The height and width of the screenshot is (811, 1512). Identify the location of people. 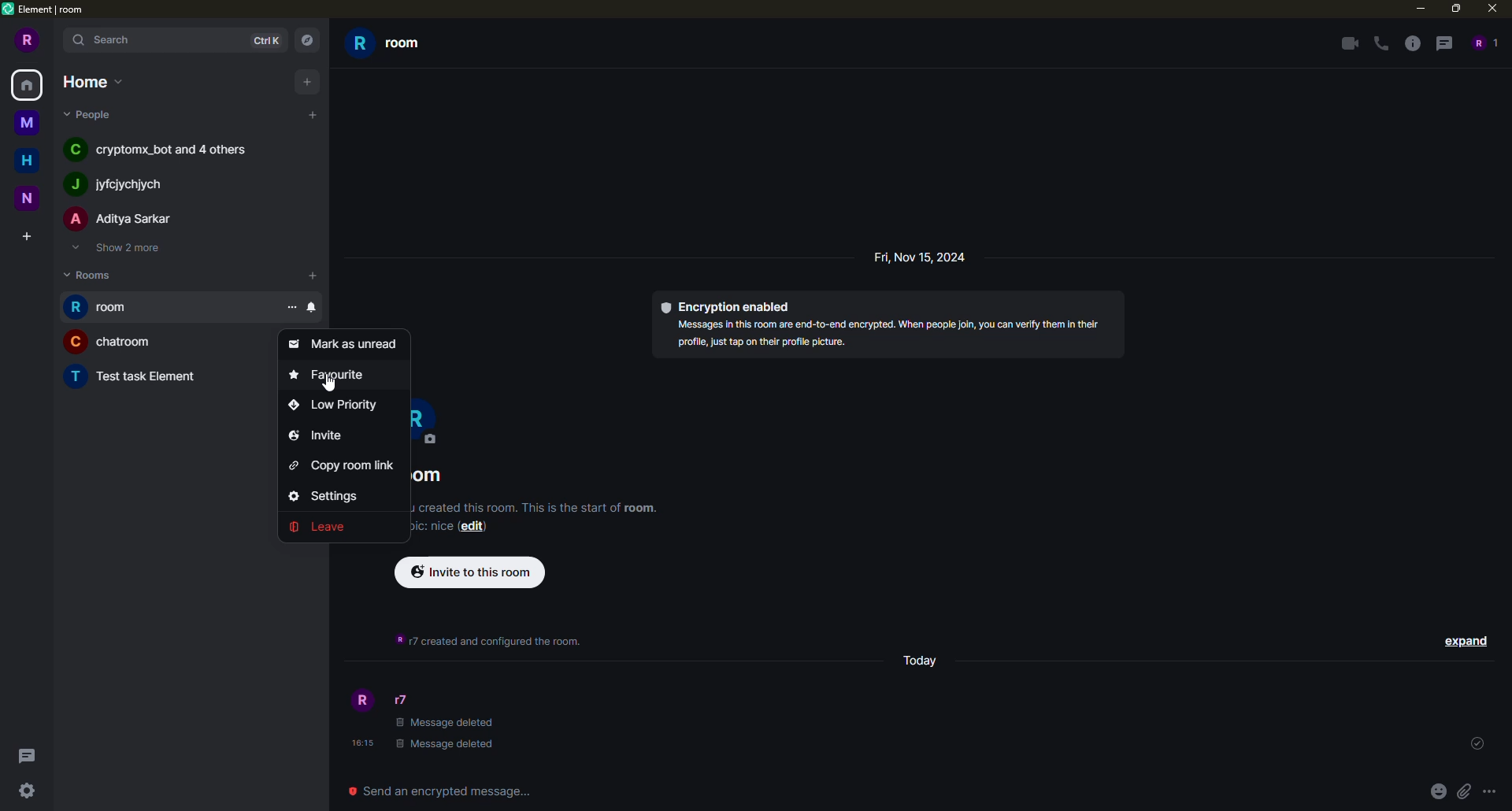
(91, 116).